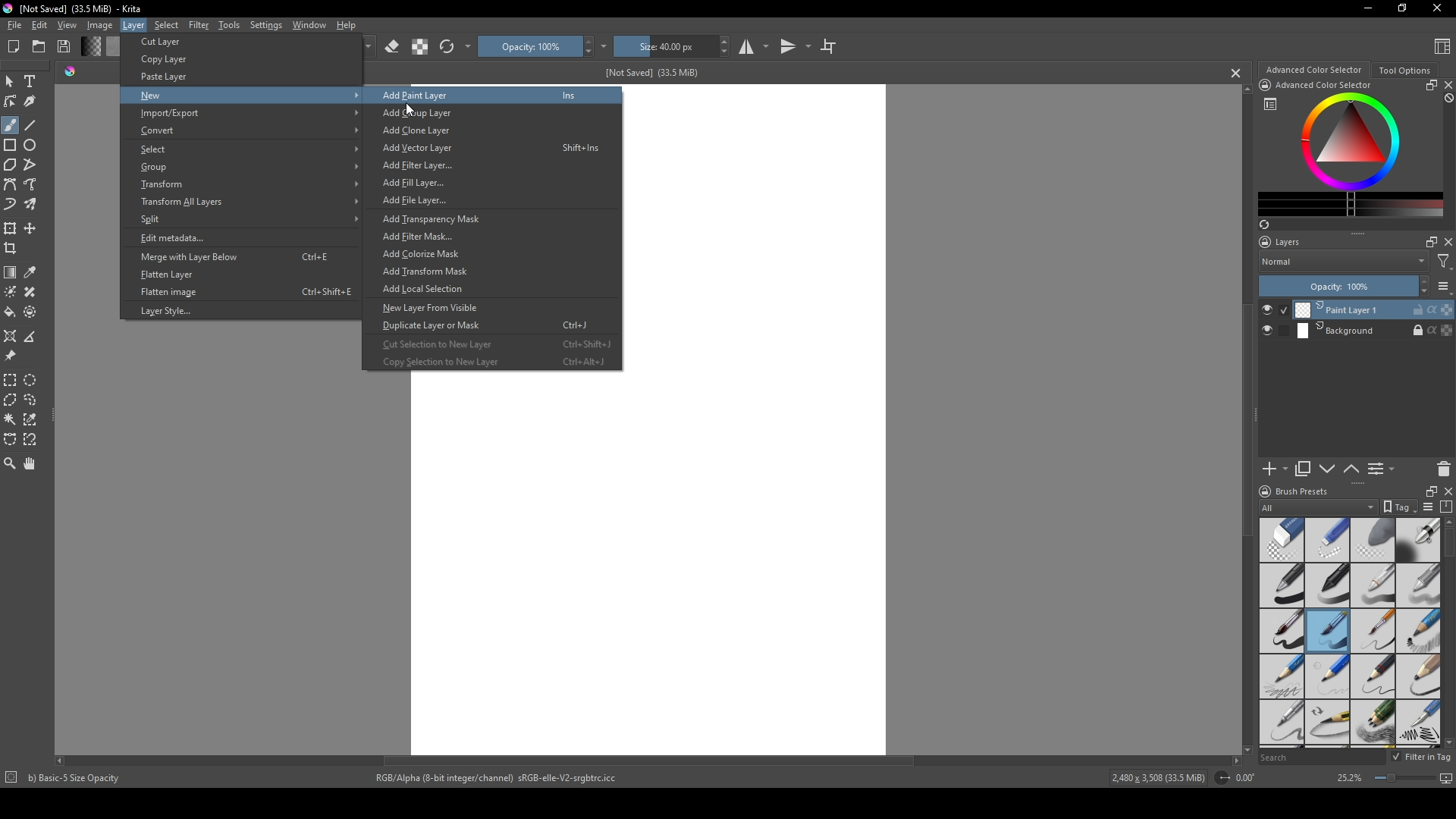 The image size is (1456, 819). What do you see at coordinates (411, 110) in the screenshot?
I see `cursor` at bounding box center [411, 110].